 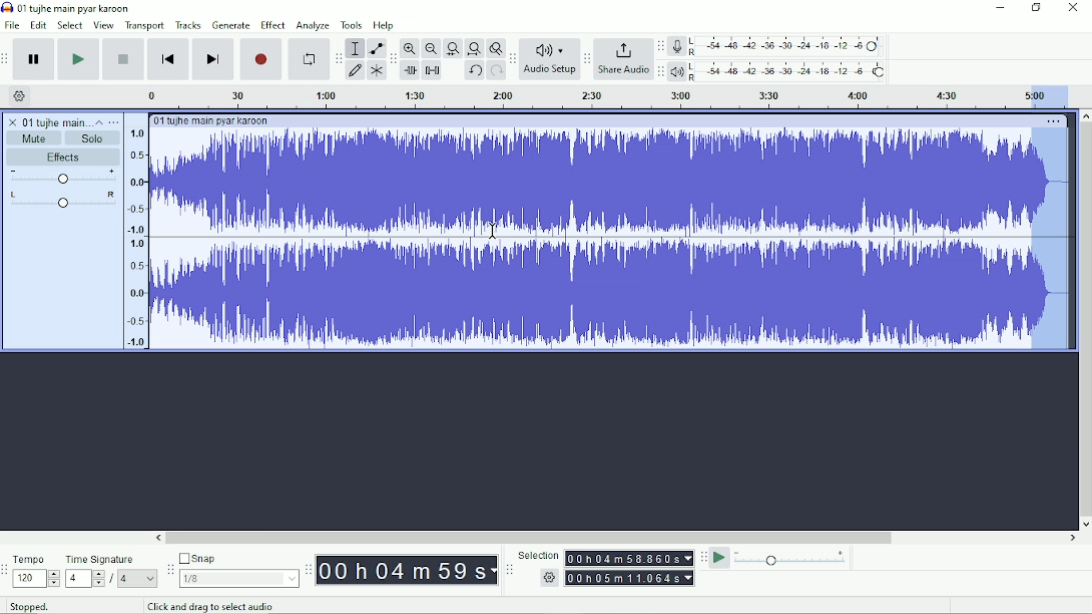 I want to click on Generate, so click(x=232, y=24).